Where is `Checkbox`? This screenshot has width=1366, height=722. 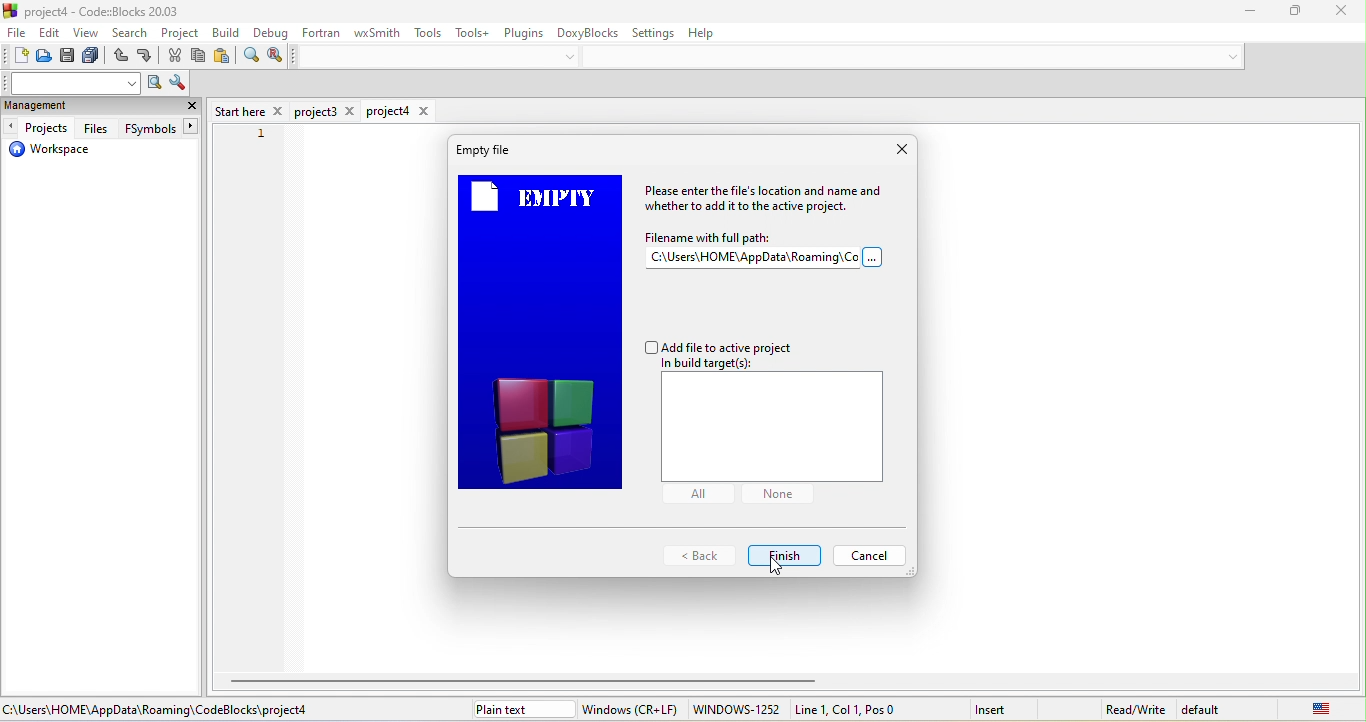
Checkbox is located at coordinates (719, 346).